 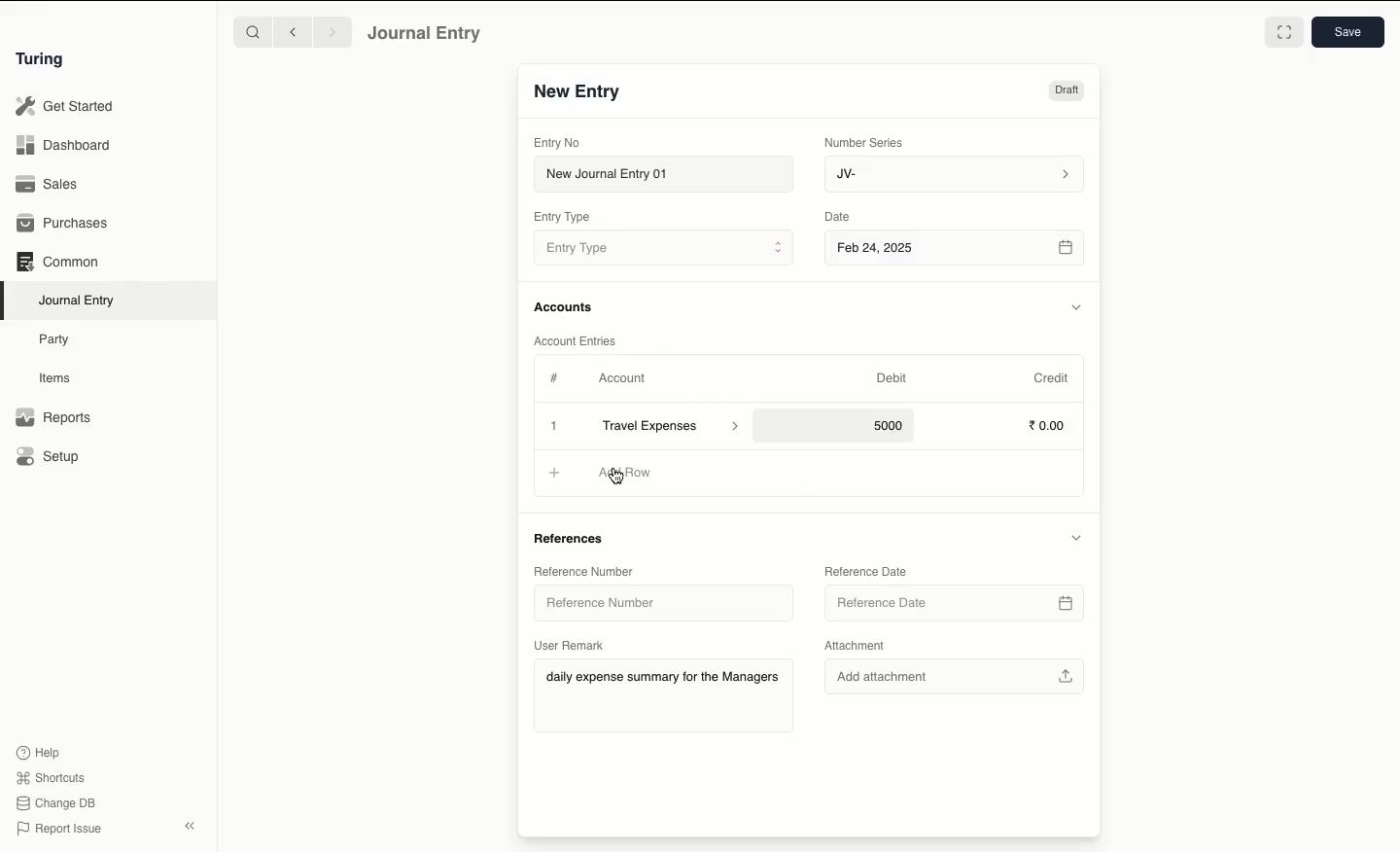 What do you see at coordinates (426, 34) in the screenshot?
I see `Journal Entry` at bounding box center [426, 34].